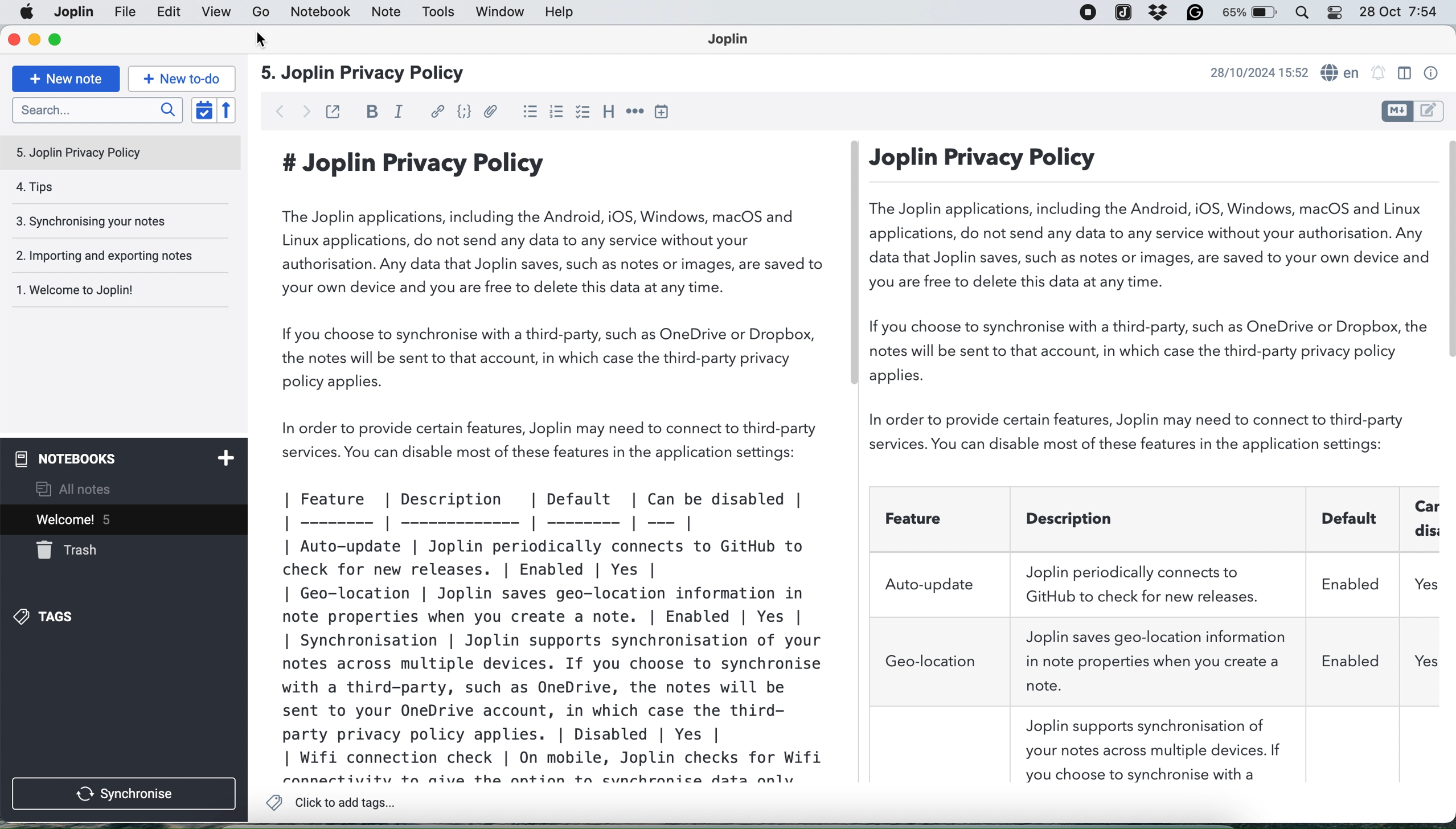 This screenshot has width=1456, height=829. I want to click on go, so click(263, 12).